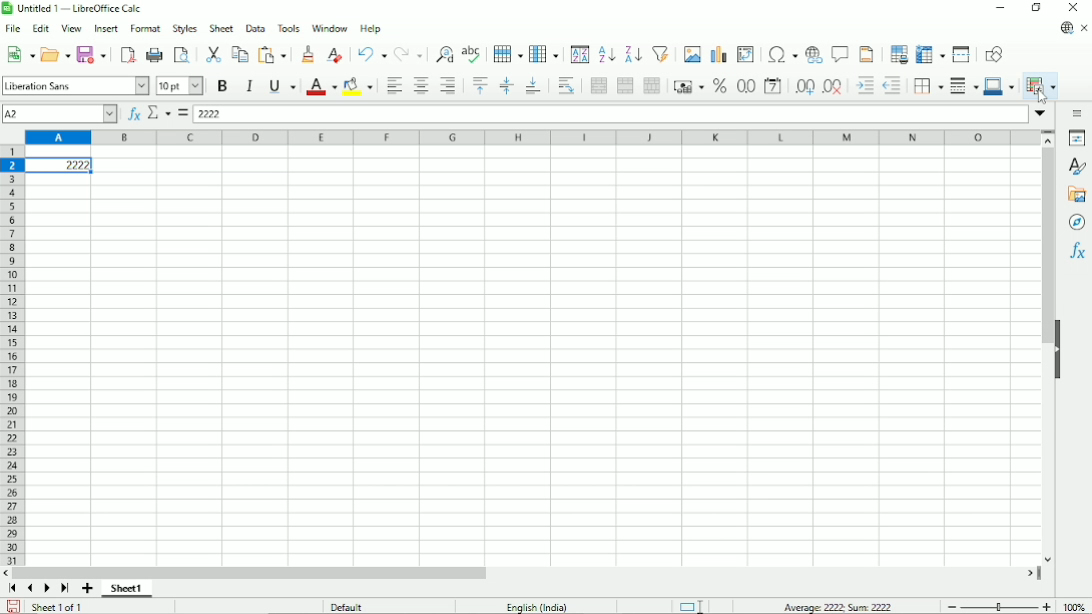 The image size is (1092, 614). Describe the element at coordinates (1000, 87) in the screenshot. I see `Border color` at that location.